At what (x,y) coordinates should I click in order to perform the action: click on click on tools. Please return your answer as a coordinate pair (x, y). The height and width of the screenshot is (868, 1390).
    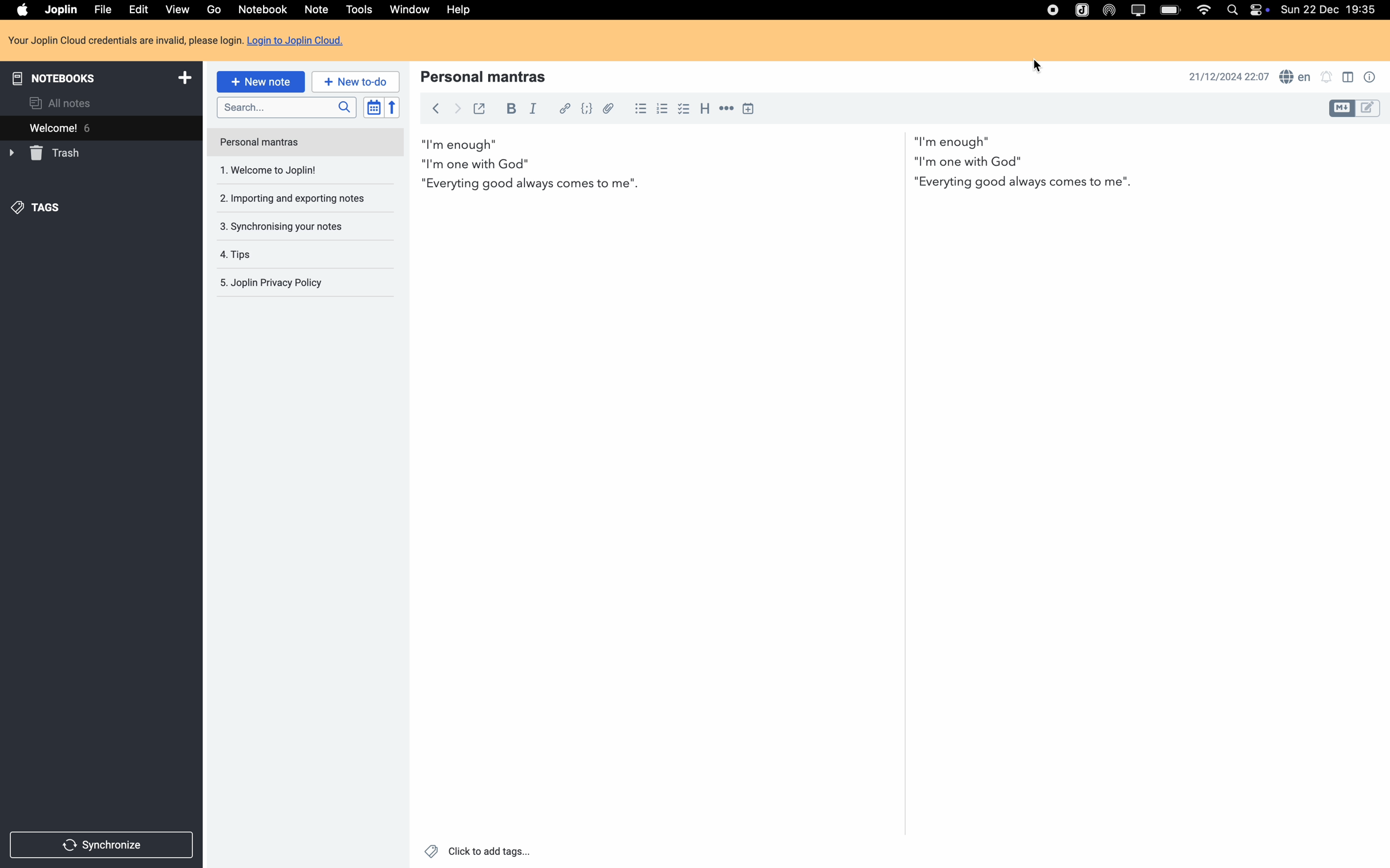
    Looking at the image, I should click on (355, 11).